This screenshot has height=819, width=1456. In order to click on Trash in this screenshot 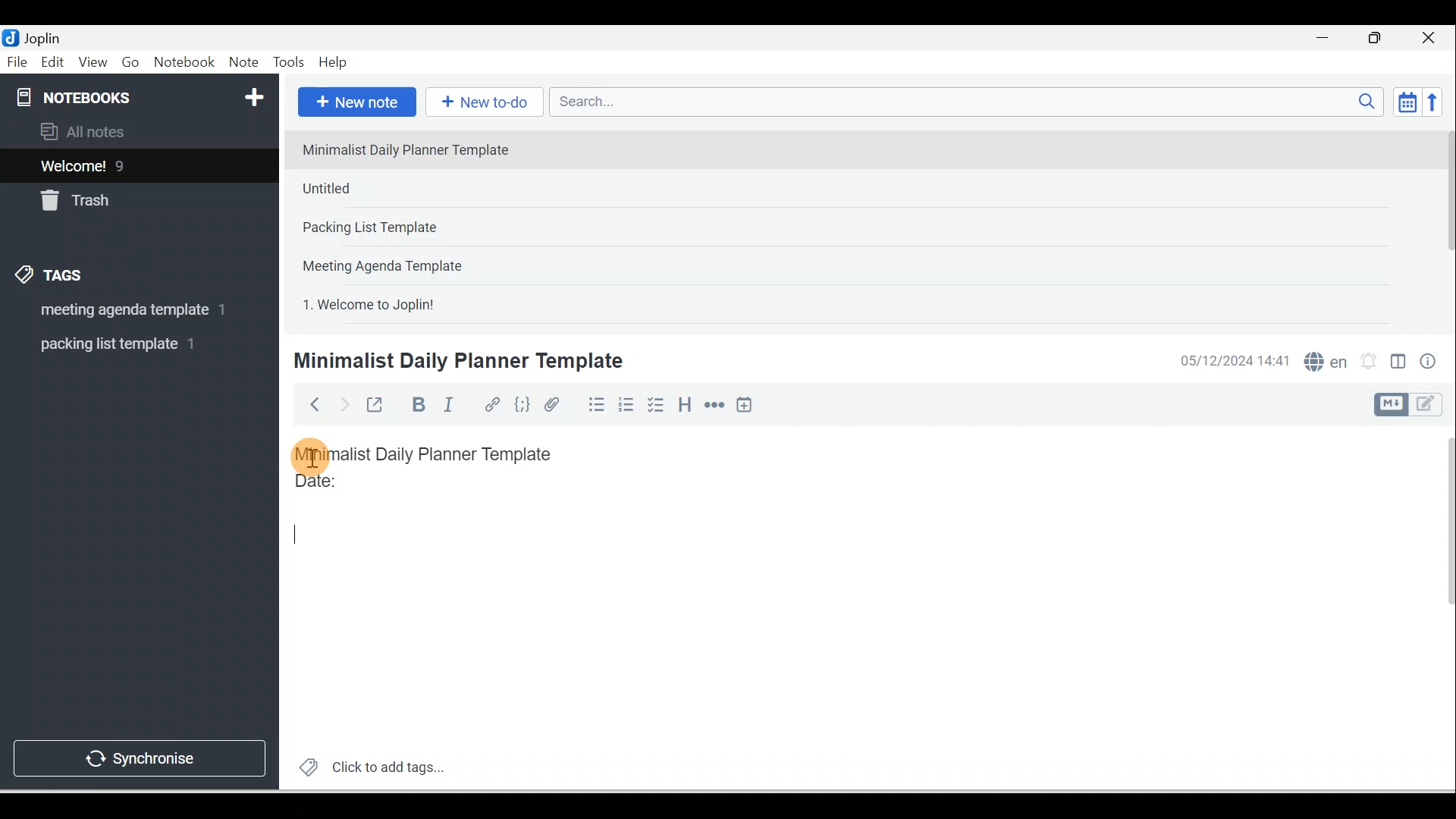, I will do `click(111, 196)`.